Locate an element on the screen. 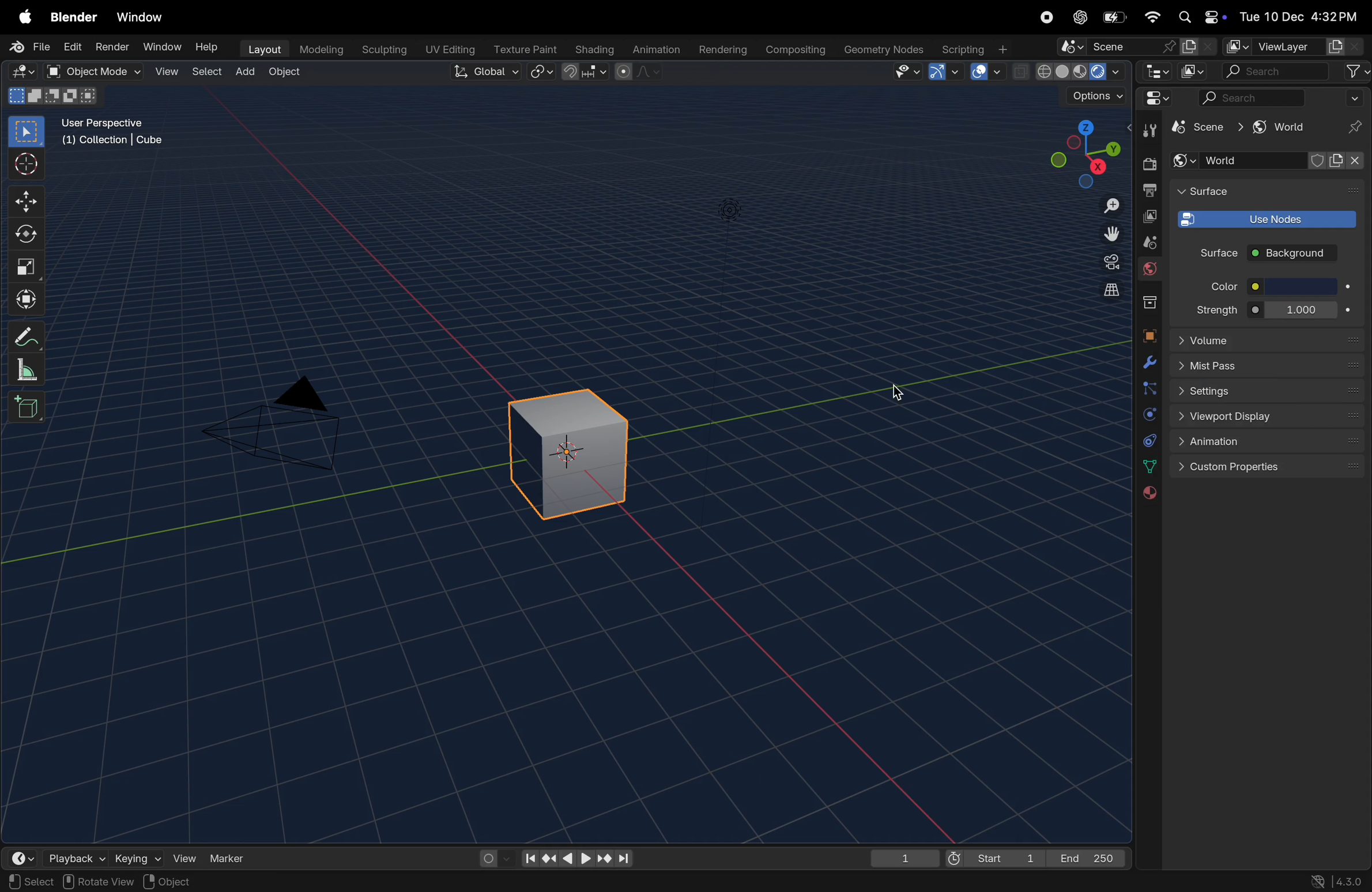 This screenshot has width=1372, height=892. animation is located at coordinates (1272, 443).